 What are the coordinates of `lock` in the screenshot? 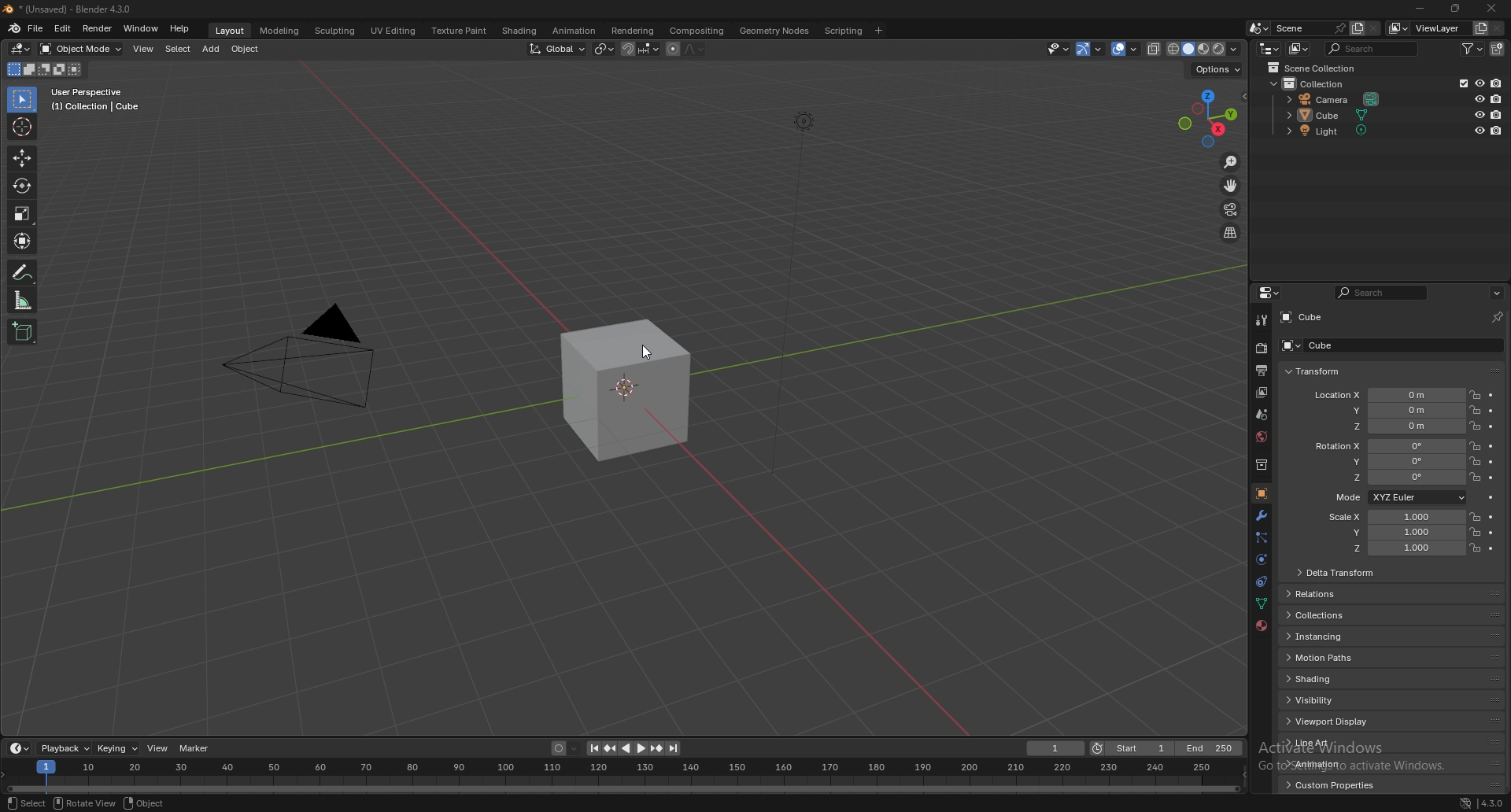 It's located at (1475, 548).